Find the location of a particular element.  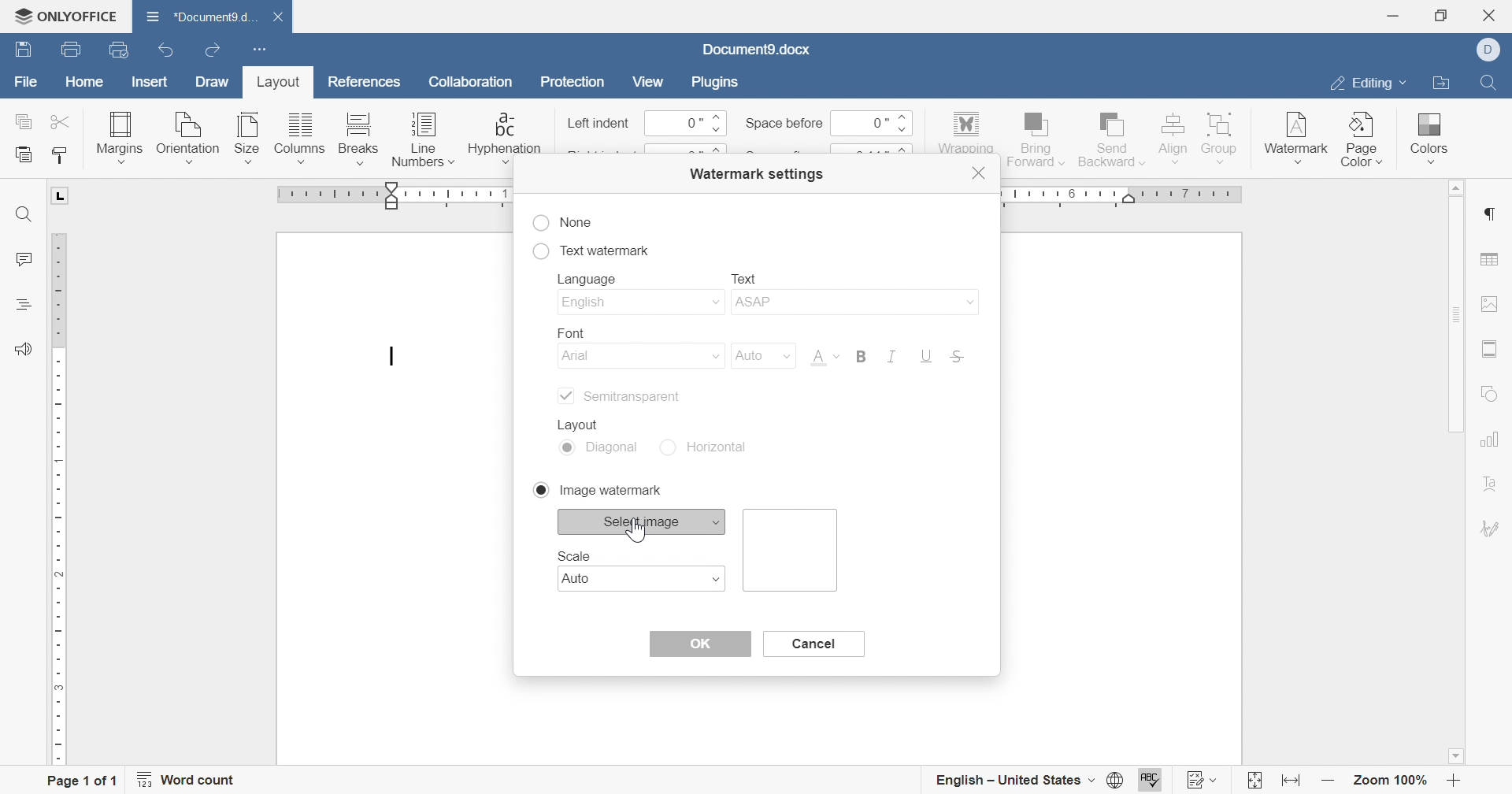

bring forward is located at coordinates (1034, 137).